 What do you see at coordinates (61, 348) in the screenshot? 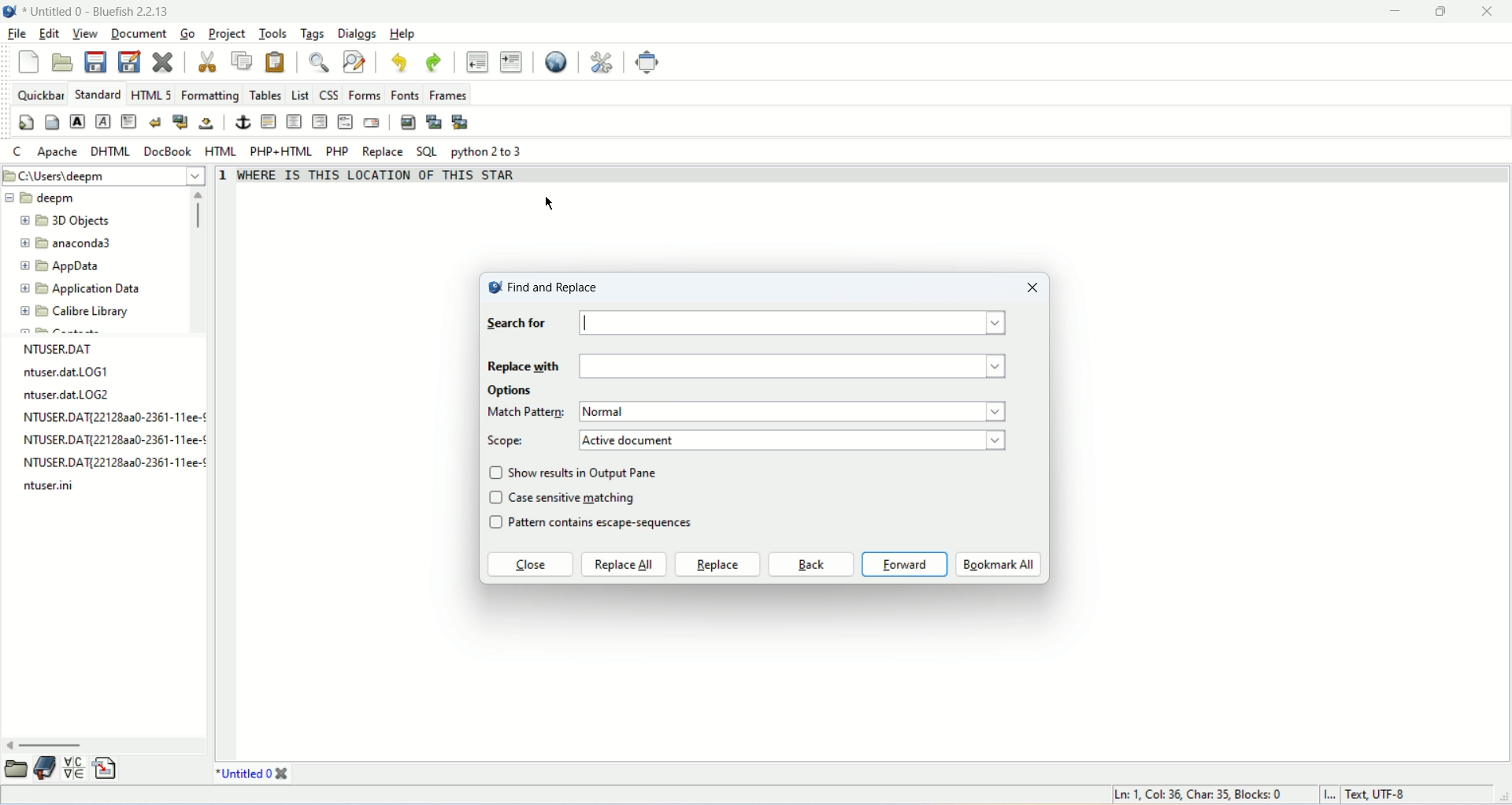
I see `NTUSER.DAT` at bounding box center [61, 348].